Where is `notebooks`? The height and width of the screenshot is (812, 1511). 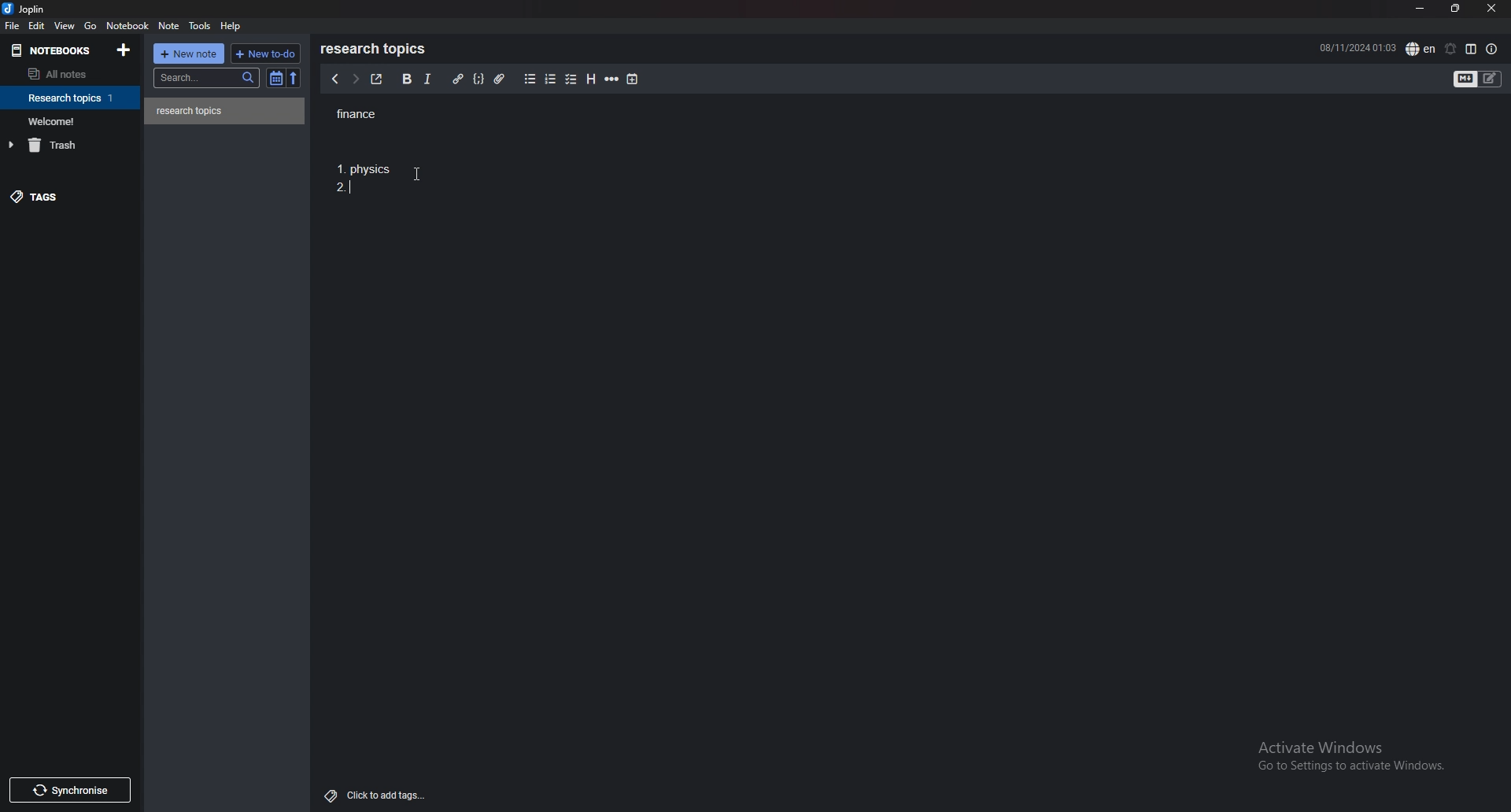 notebooks is located at coordinates (54, 50).